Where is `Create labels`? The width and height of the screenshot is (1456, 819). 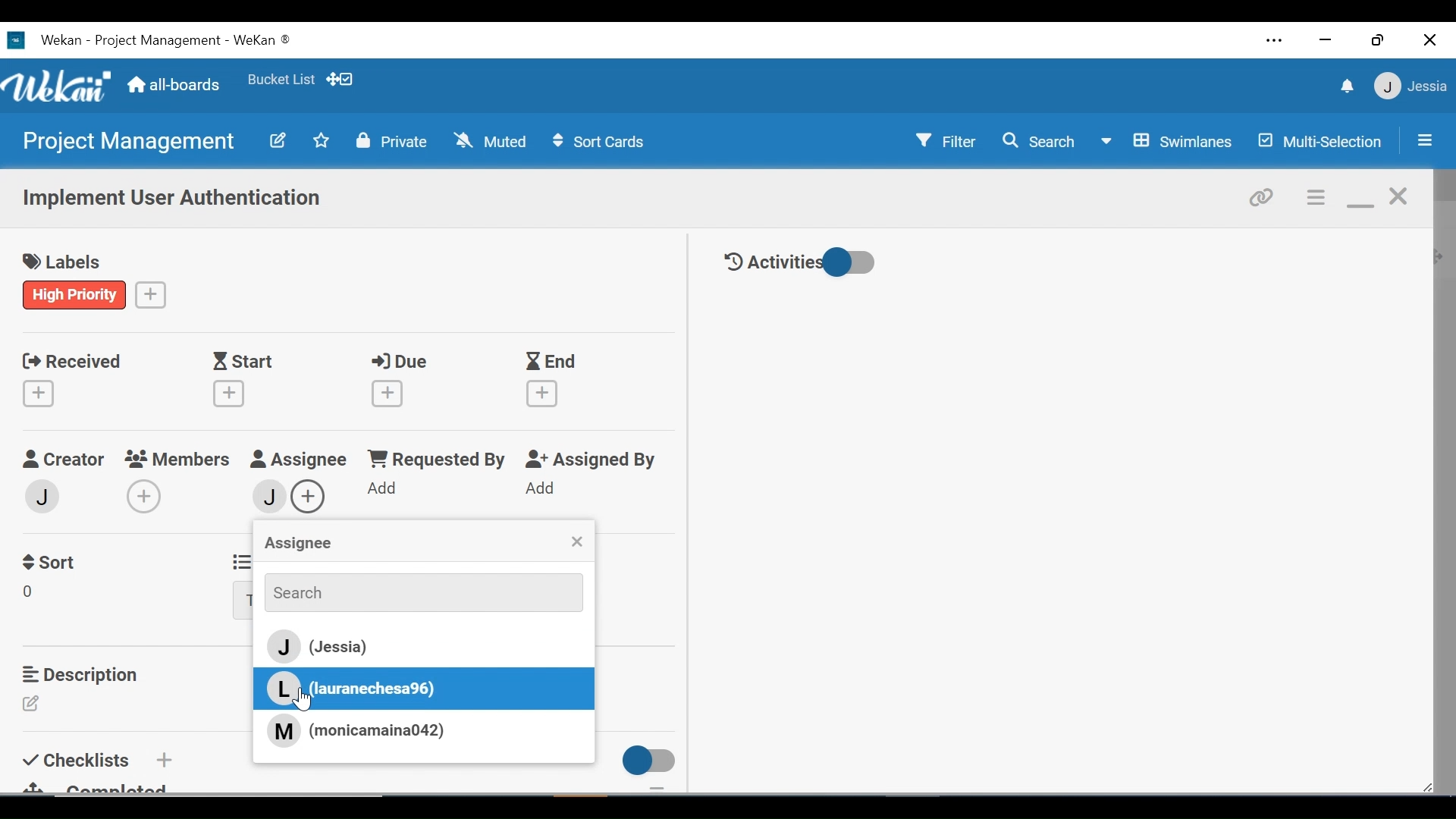
Create labels is located at coordinates (151, 293).